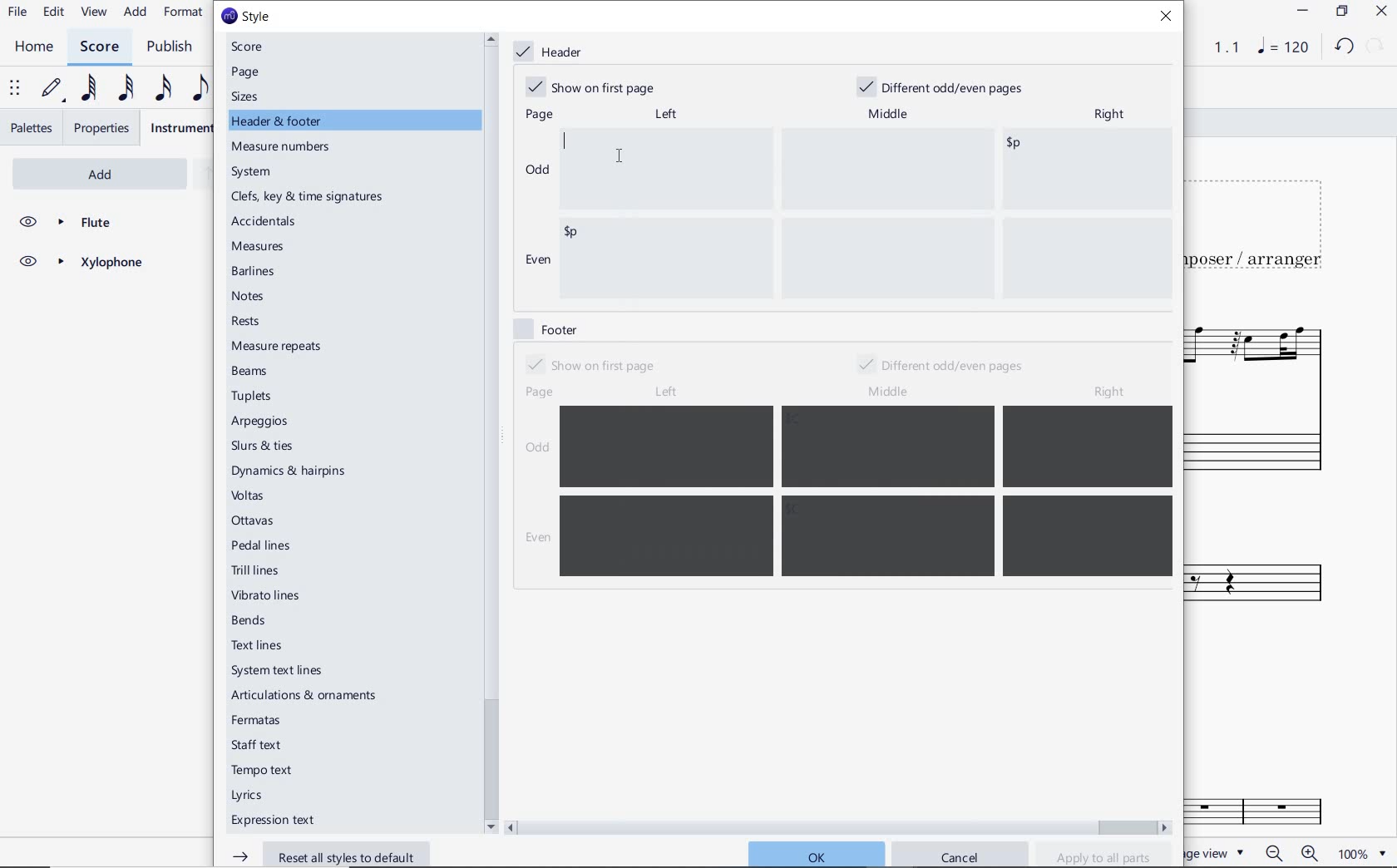 The width and height of the screenshot is (1397, 868). Describe the element at coordinates (536, 262) in the screenshot. I see `even` at that location.